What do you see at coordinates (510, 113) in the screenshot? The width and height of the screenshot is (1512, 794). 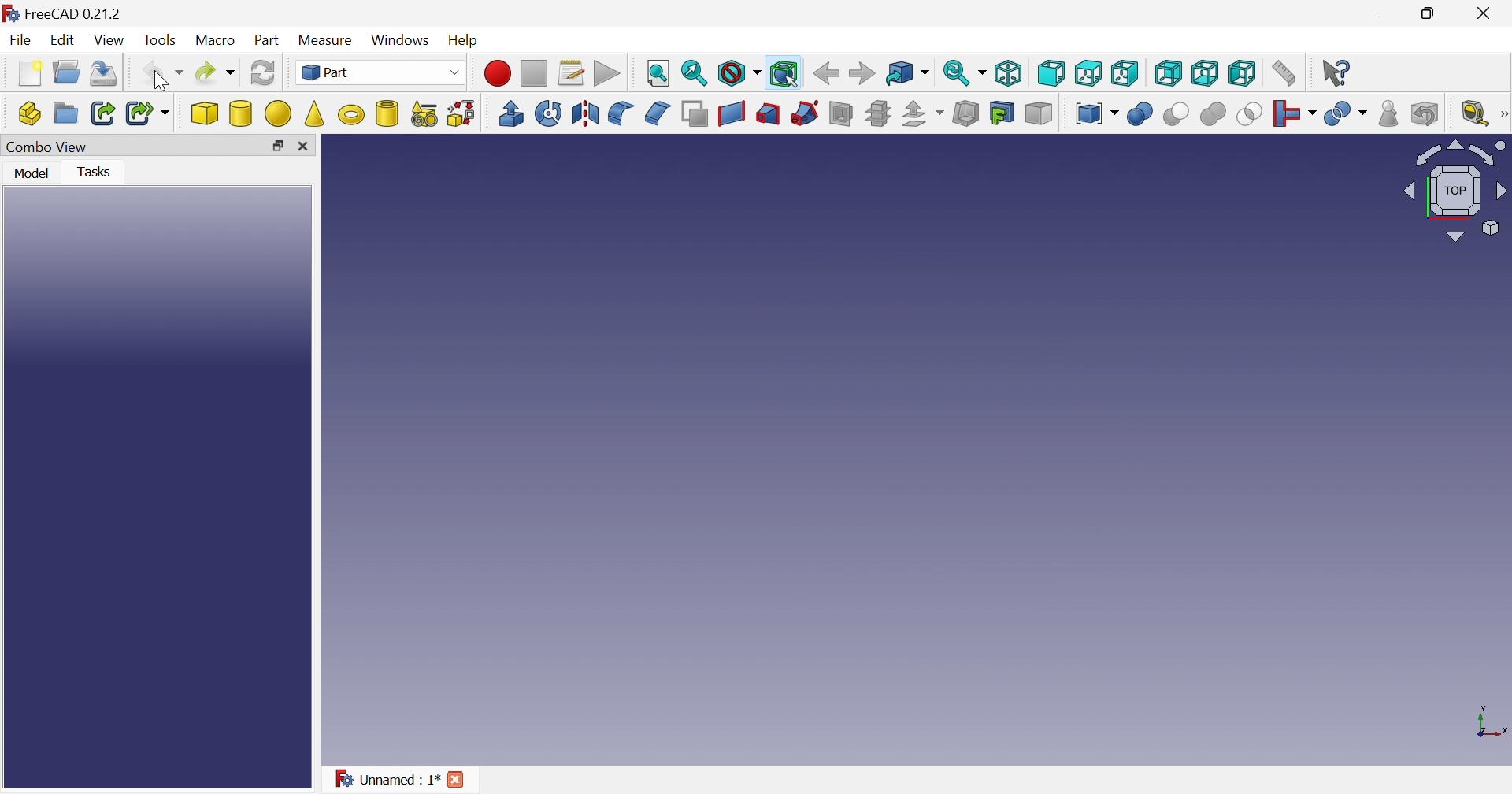 I see `Extrude...` at bounding box center [510, 113].